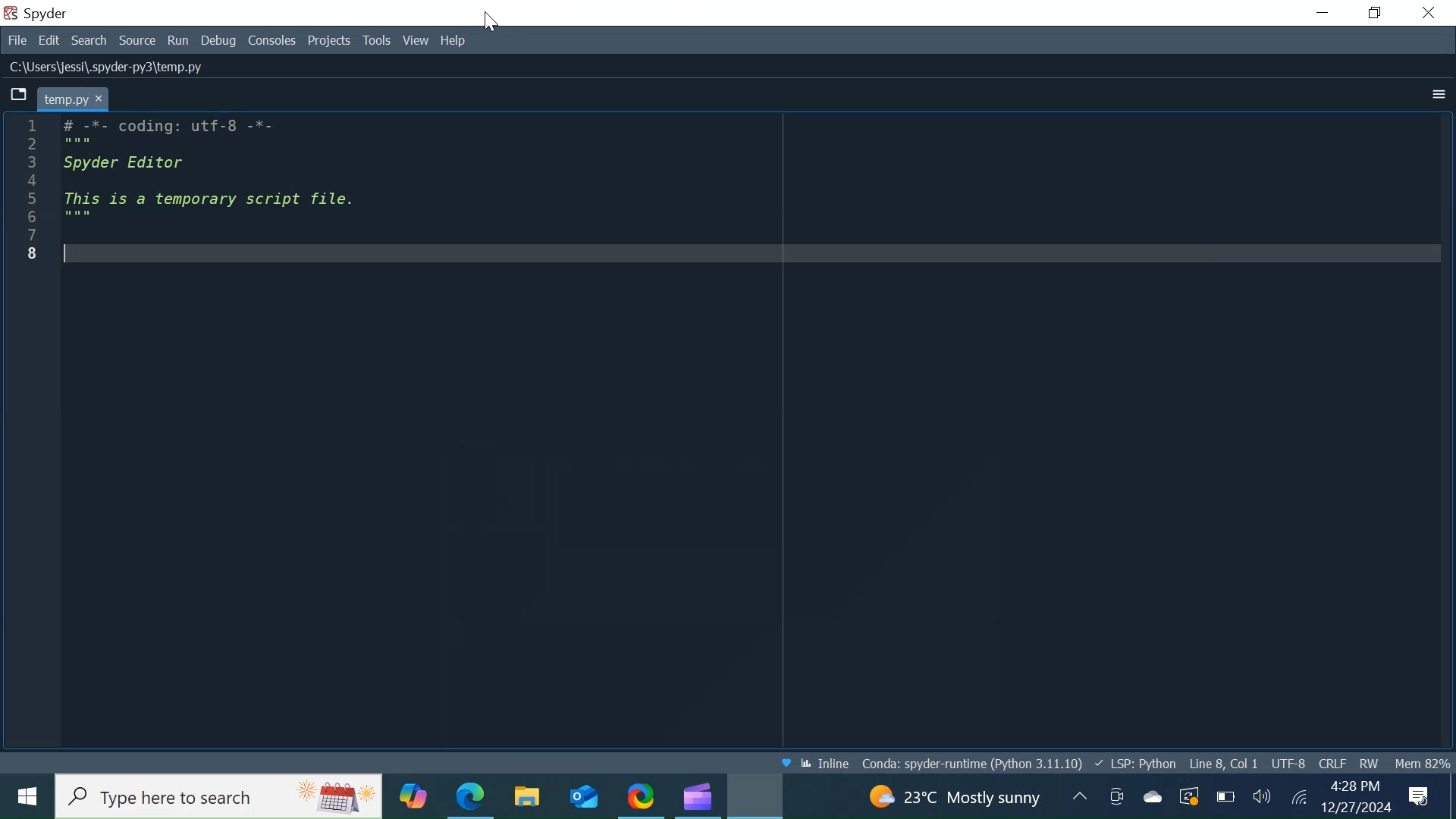 Image resolution: width=1456 pixels, height=819 pixels. I want to click on Projects, so click(328, 41).